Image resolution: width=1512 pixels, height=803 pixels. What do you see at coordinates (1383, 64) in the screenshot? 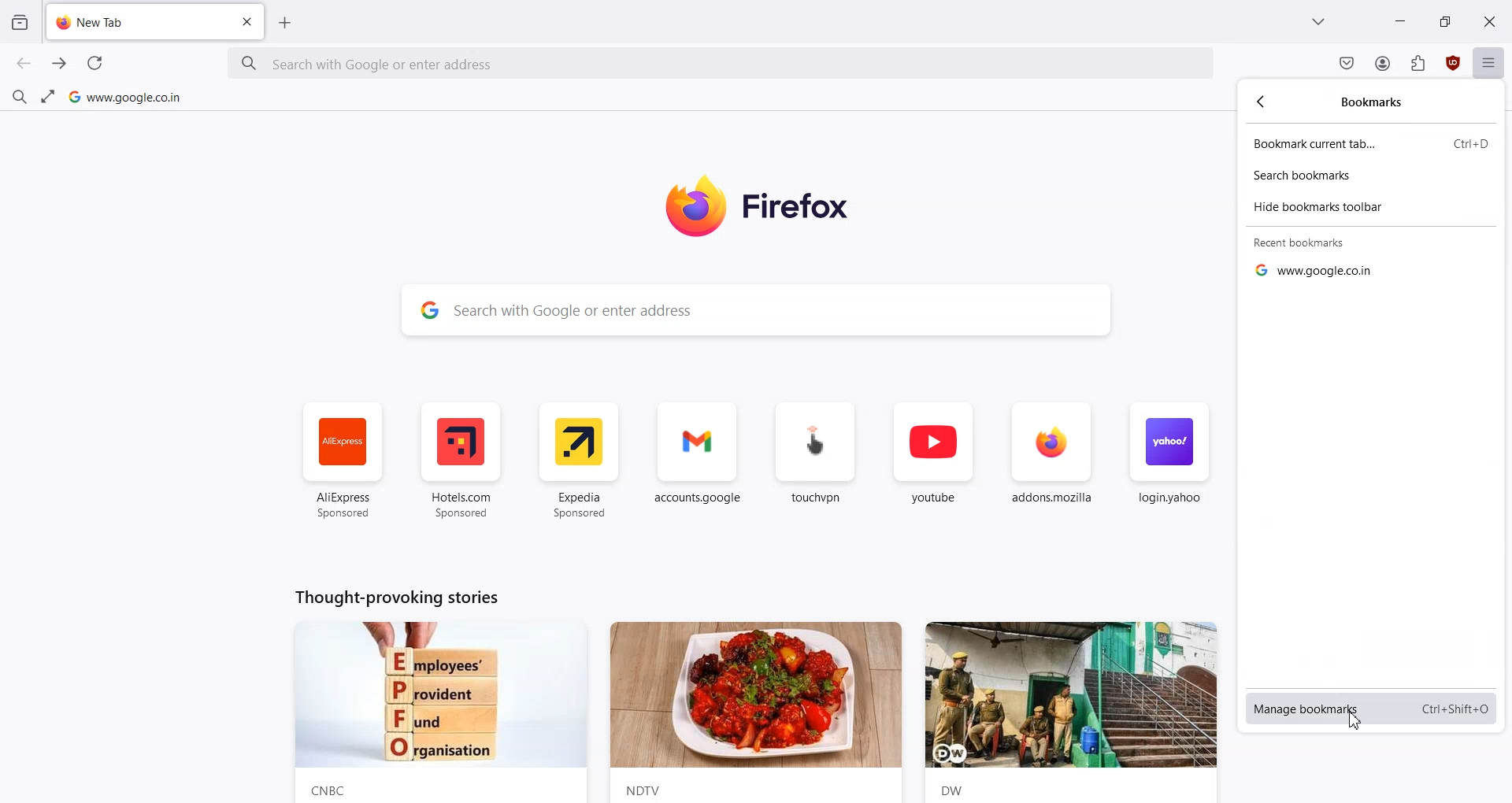
I see `Account` at bounding box center [1383, 64].